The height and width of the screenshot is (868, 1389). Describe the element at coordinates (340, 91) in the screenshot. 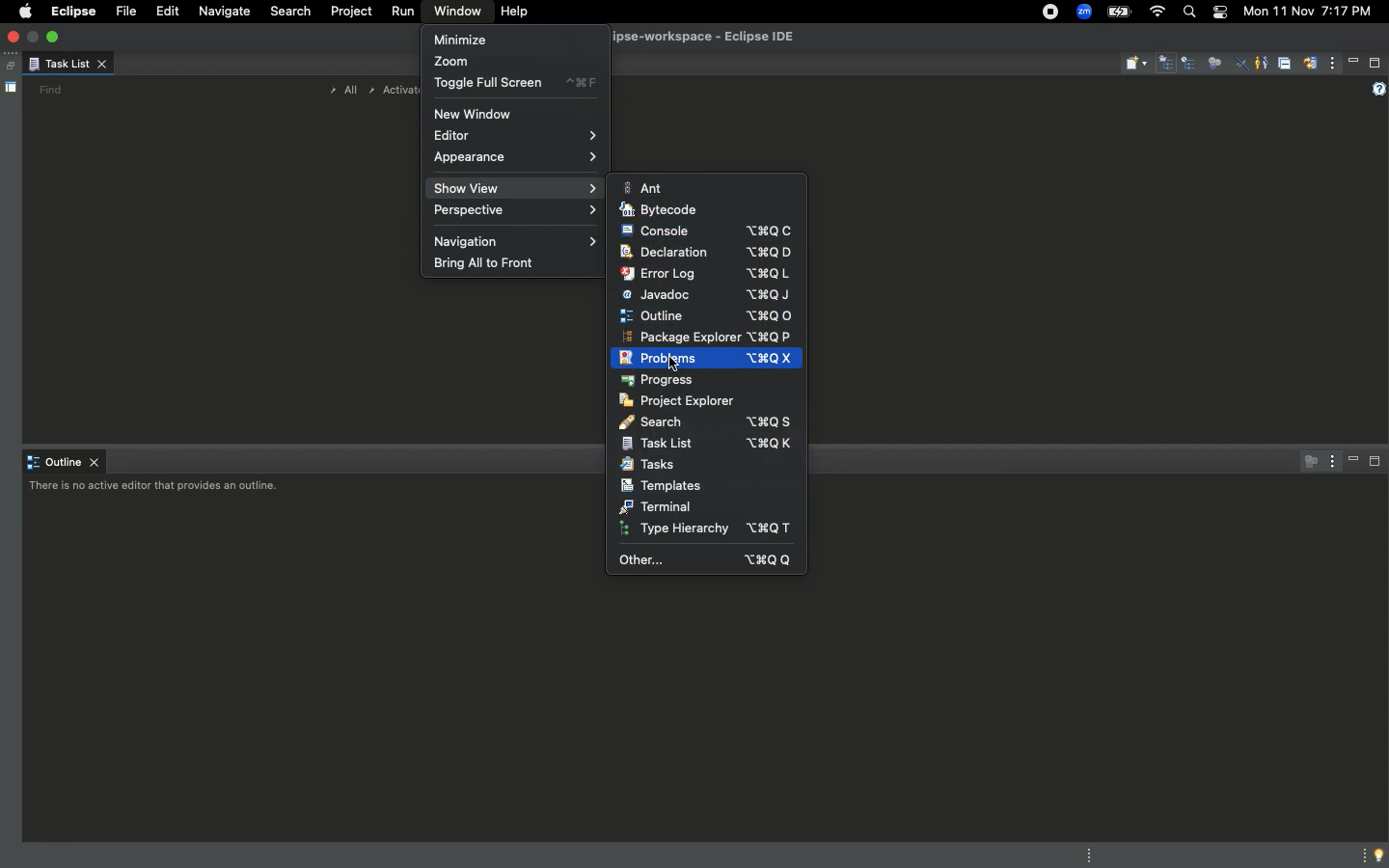

I see `All` at that location.